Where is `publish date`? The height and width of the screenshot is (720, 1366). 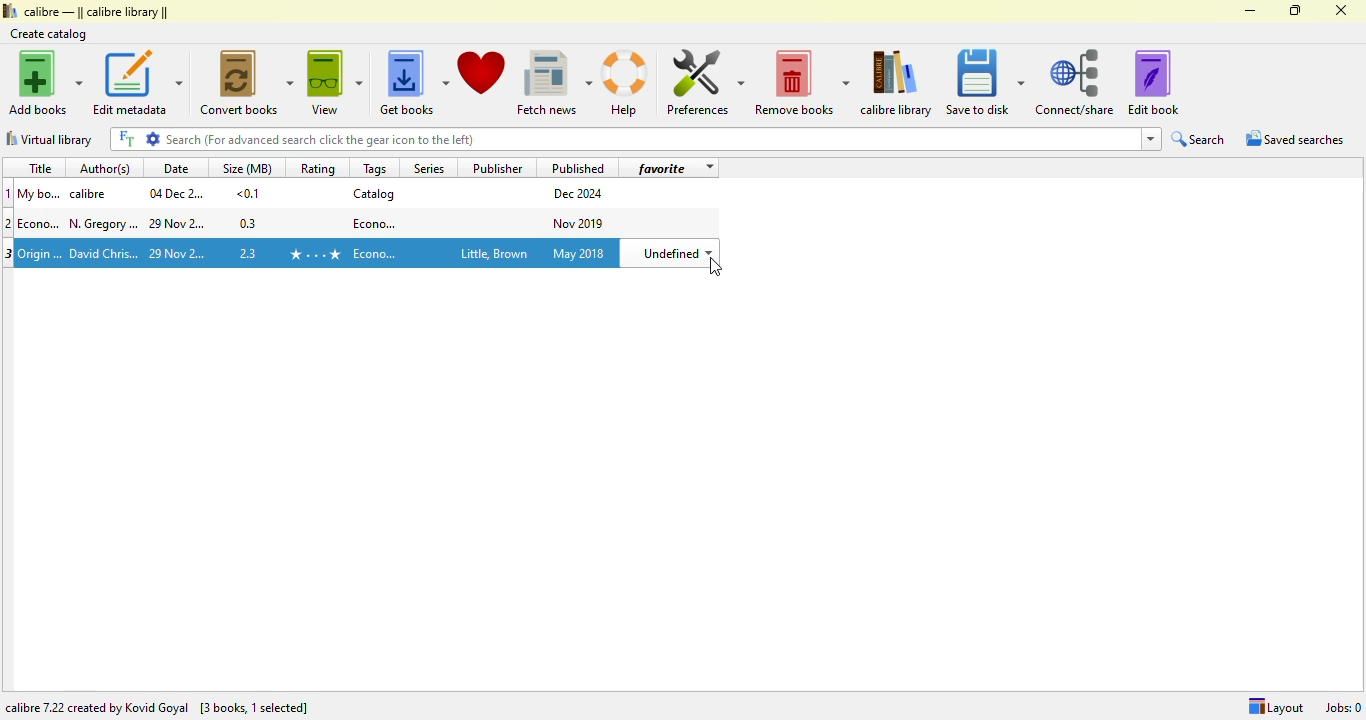
publish date is located at coordinates (580, 222).